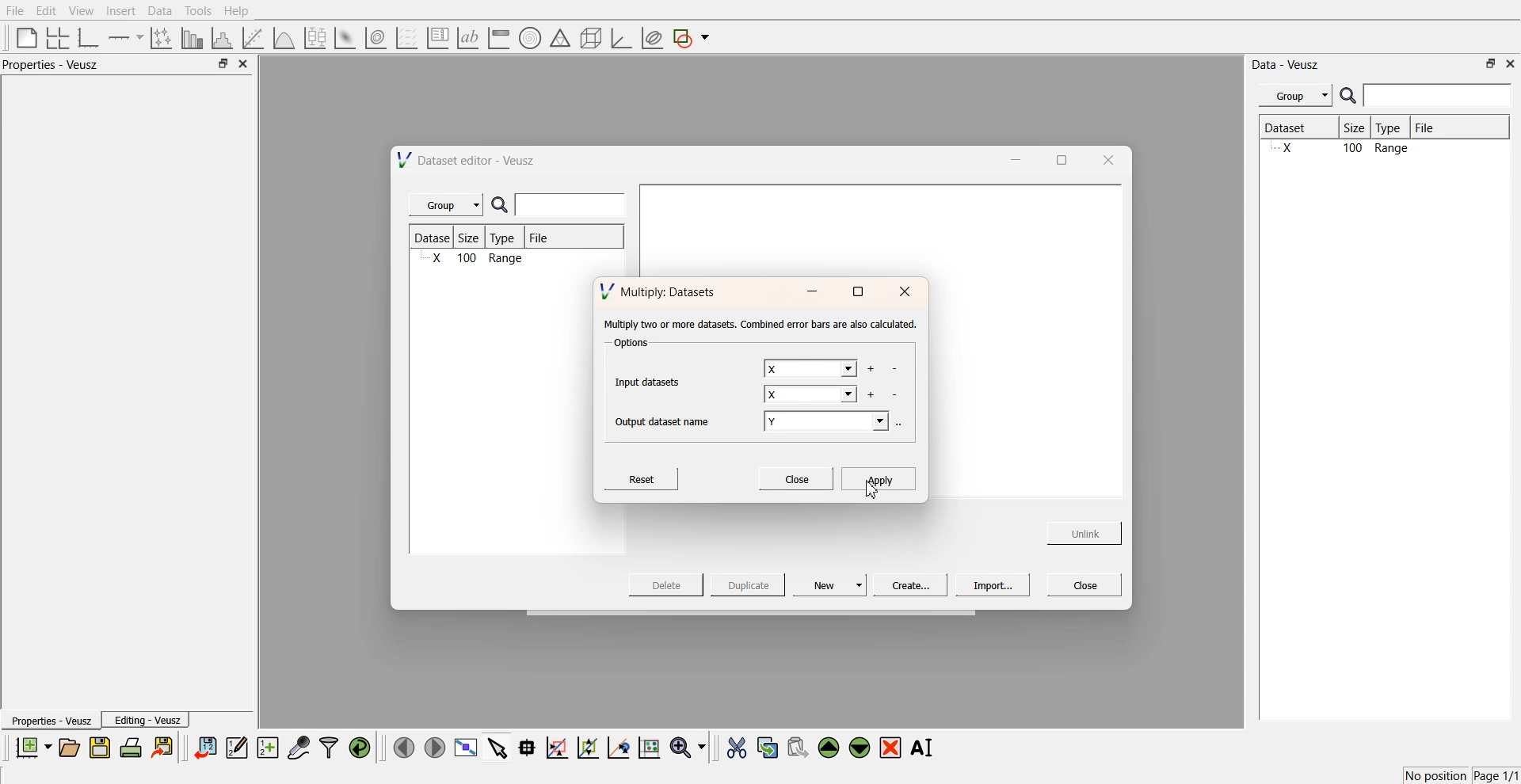 The width and height of the screenshot is (1521, 784). I want to click on ternary shapes, so click(558, 40).